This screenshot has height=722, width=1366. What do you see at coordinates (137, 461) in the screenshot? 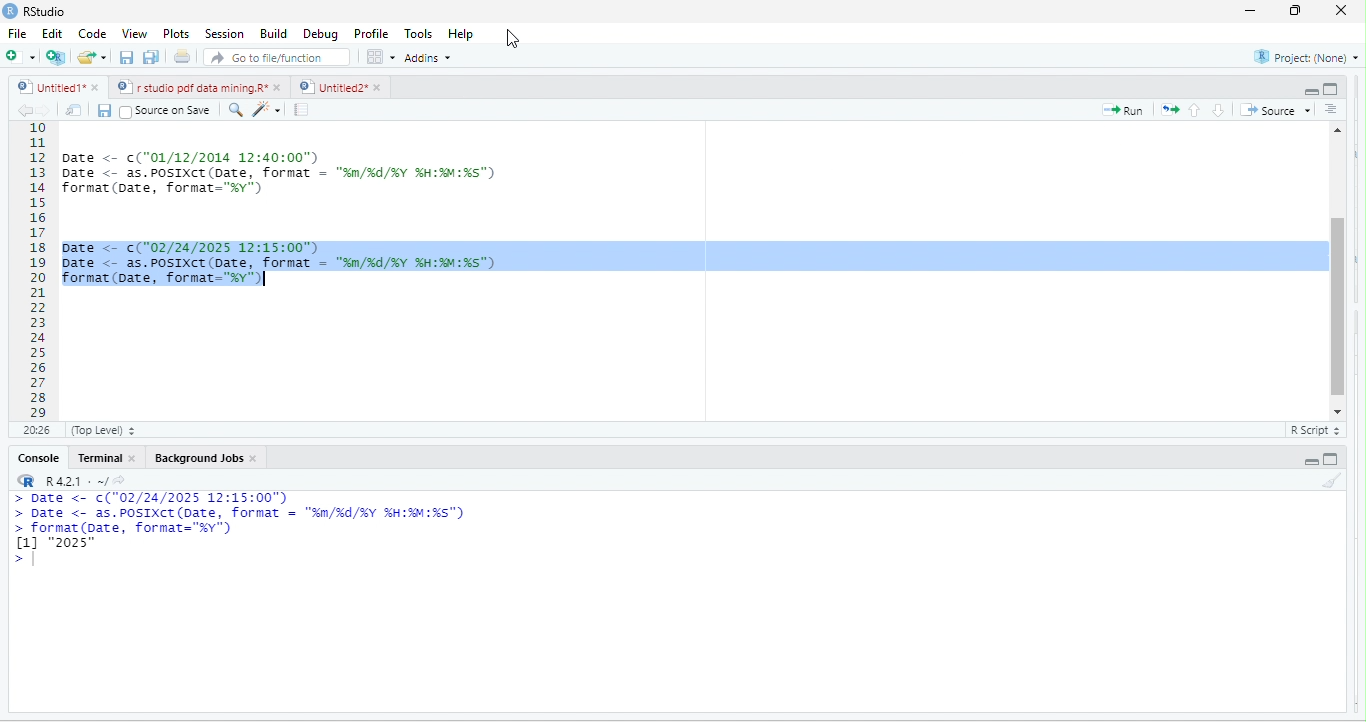
I see `close` at bounding box center [137, 461].